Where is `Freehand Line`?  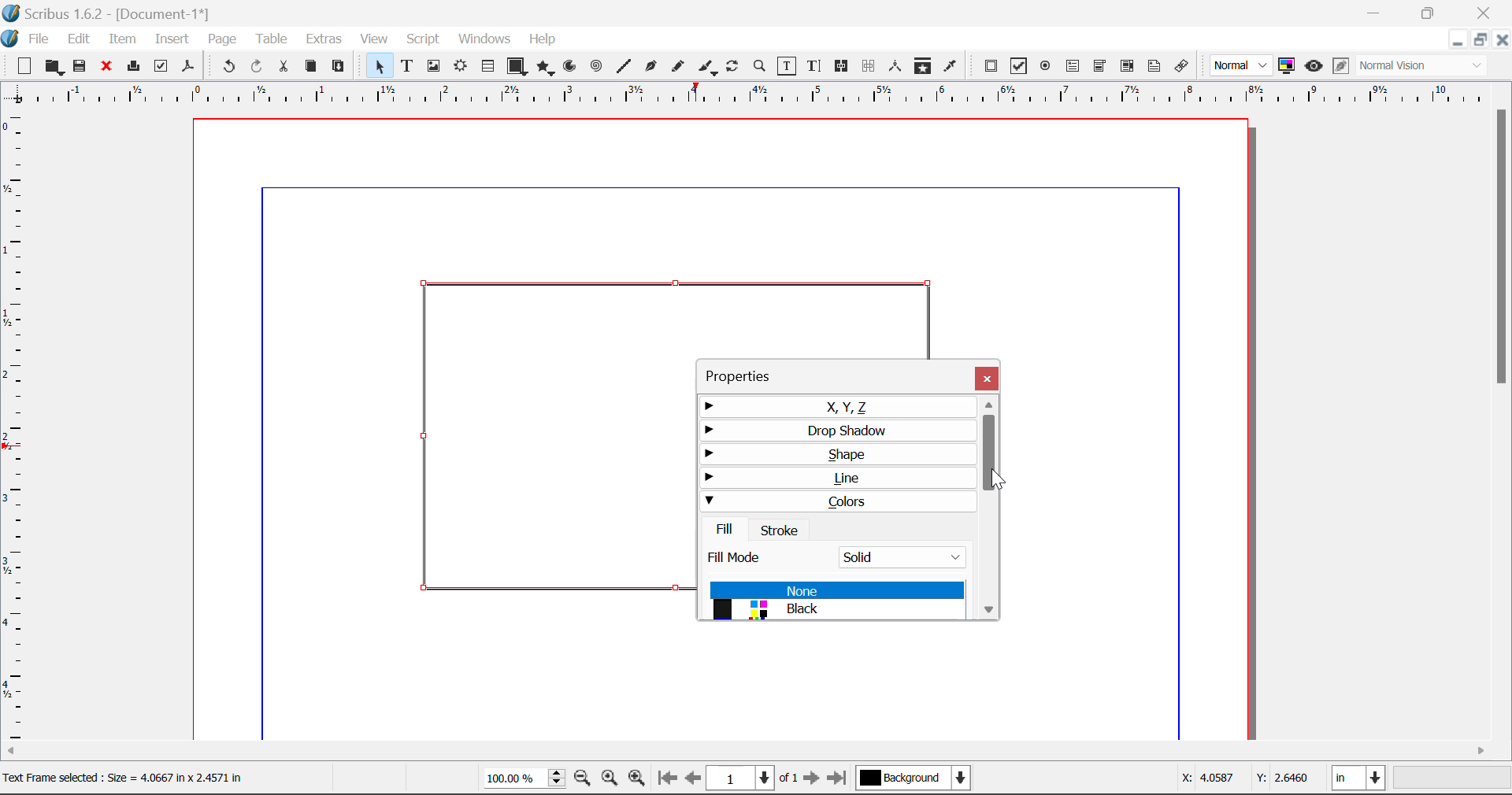 Freehand Line is located at coordinates (676, 67).